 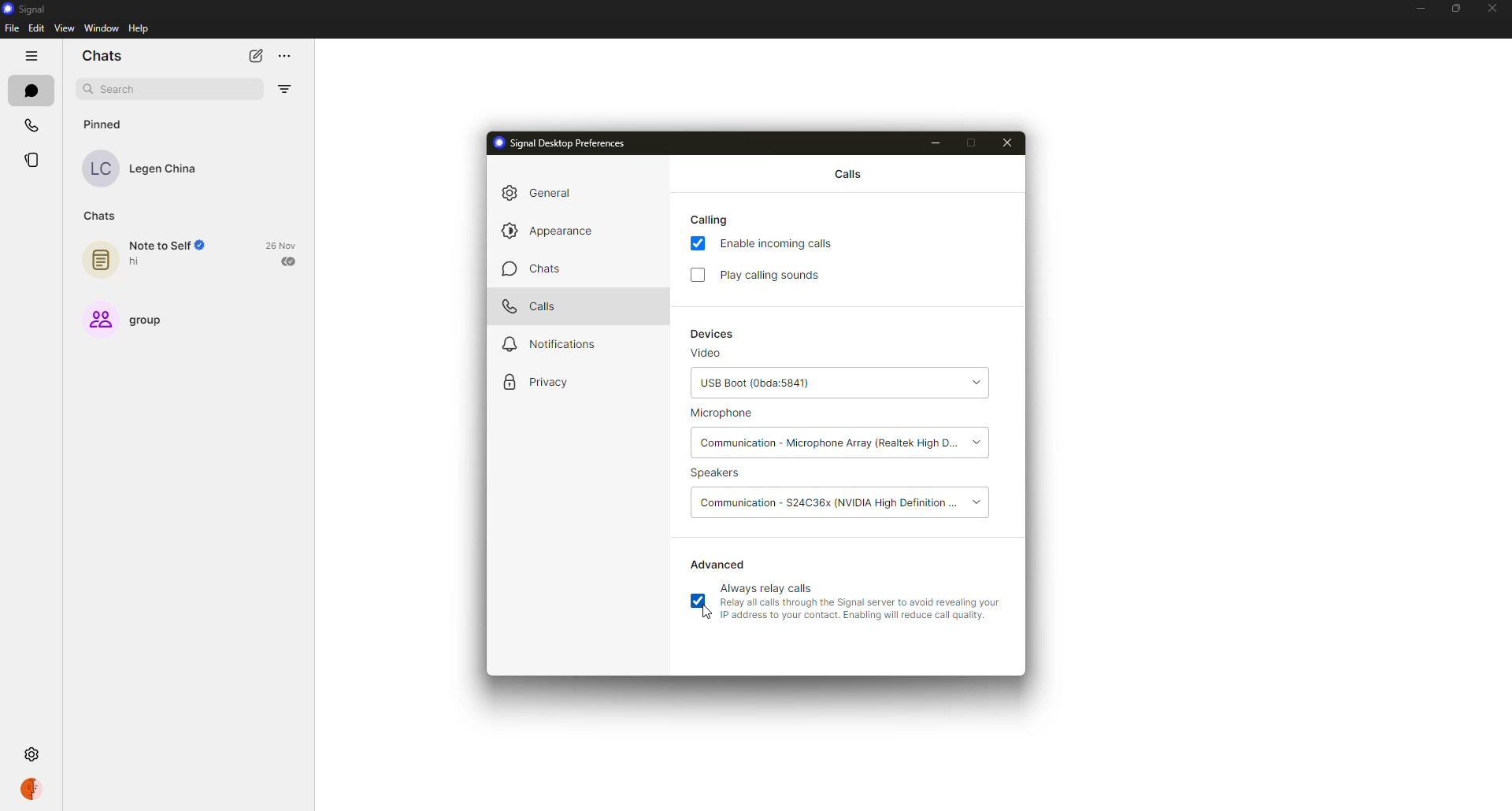 What do you see at coordinates (720, 474) in the screenshot?
I see `speakers` at bounding box center [720, 474].